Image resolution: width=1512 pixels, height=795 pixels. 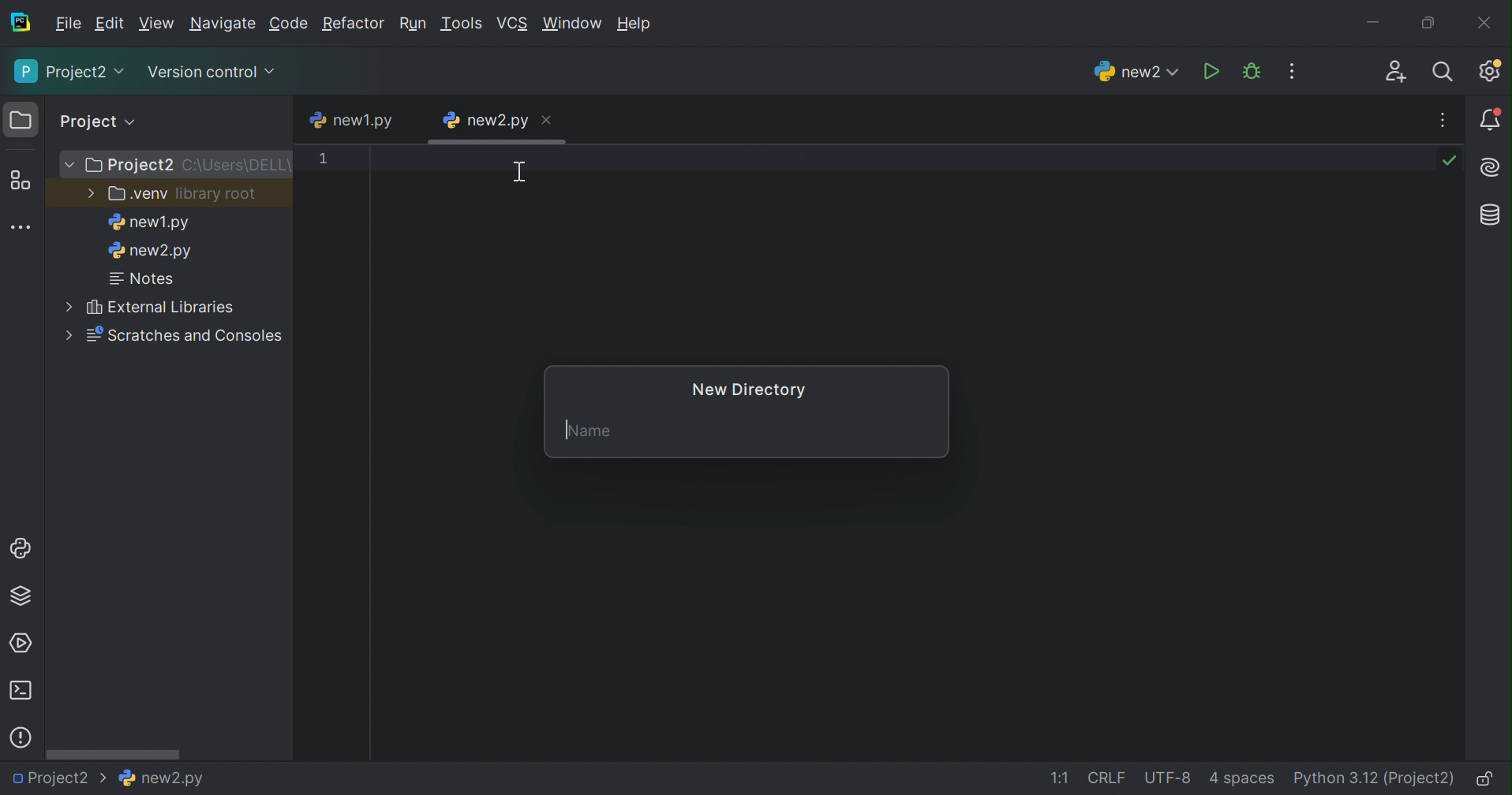 What do you see at coordinates (1429, 21) in the screenshot?
I see `Restore down` at bounding box center [1429, 21].